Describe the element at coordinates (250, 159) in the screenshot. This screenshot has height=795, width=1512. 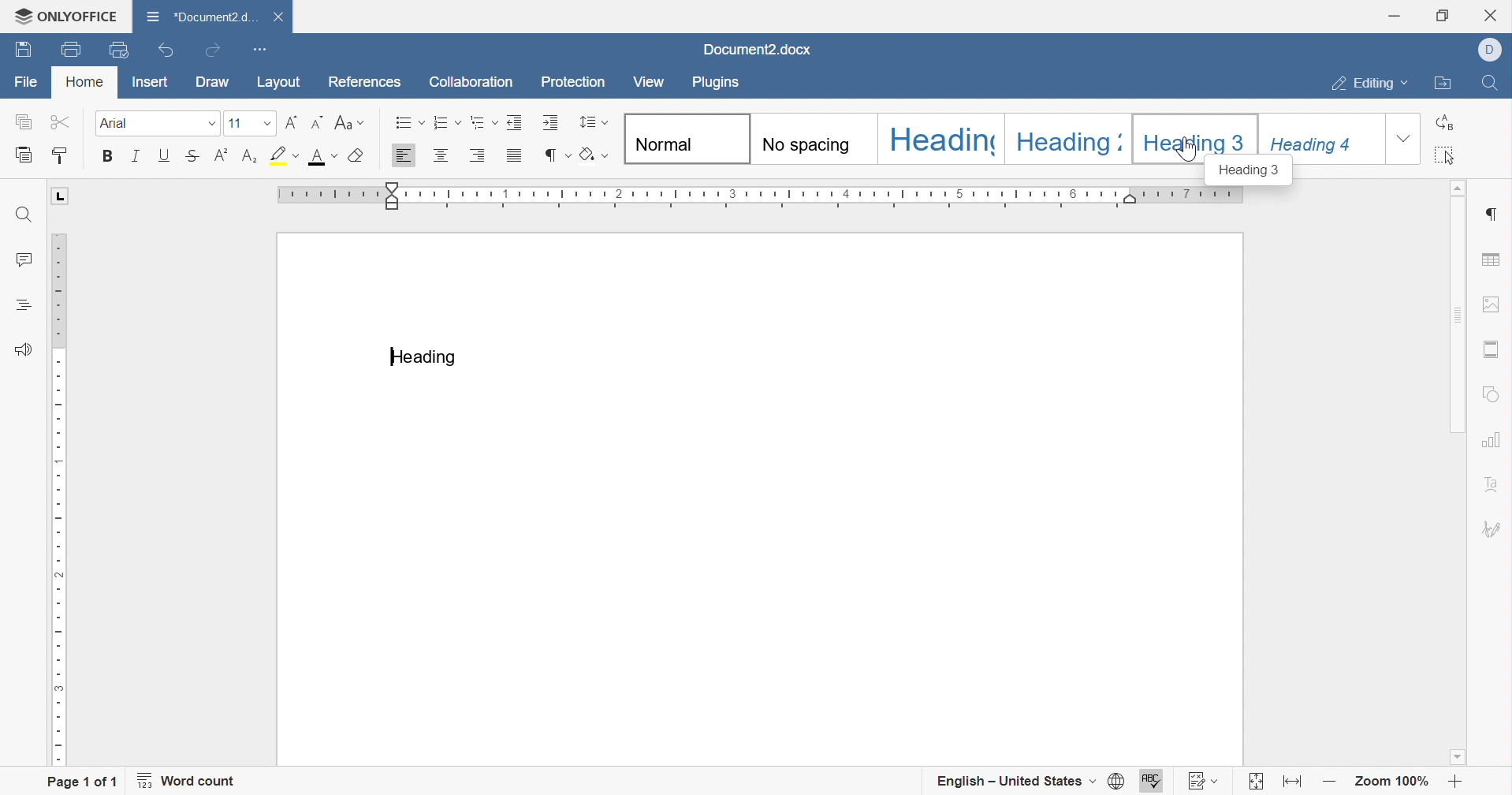
I see `Subscript` at that location.